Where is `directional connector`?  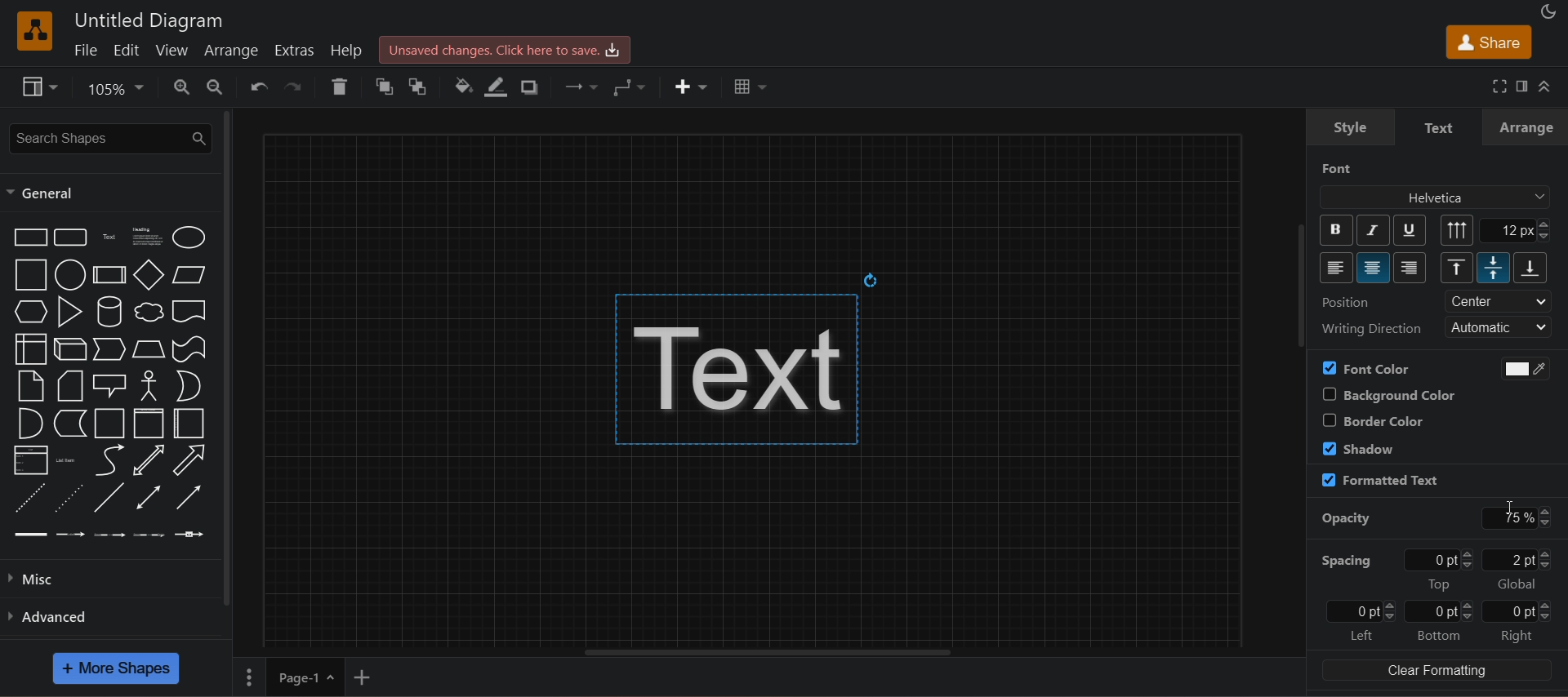
directional connector is located at coordinates (189, 497).